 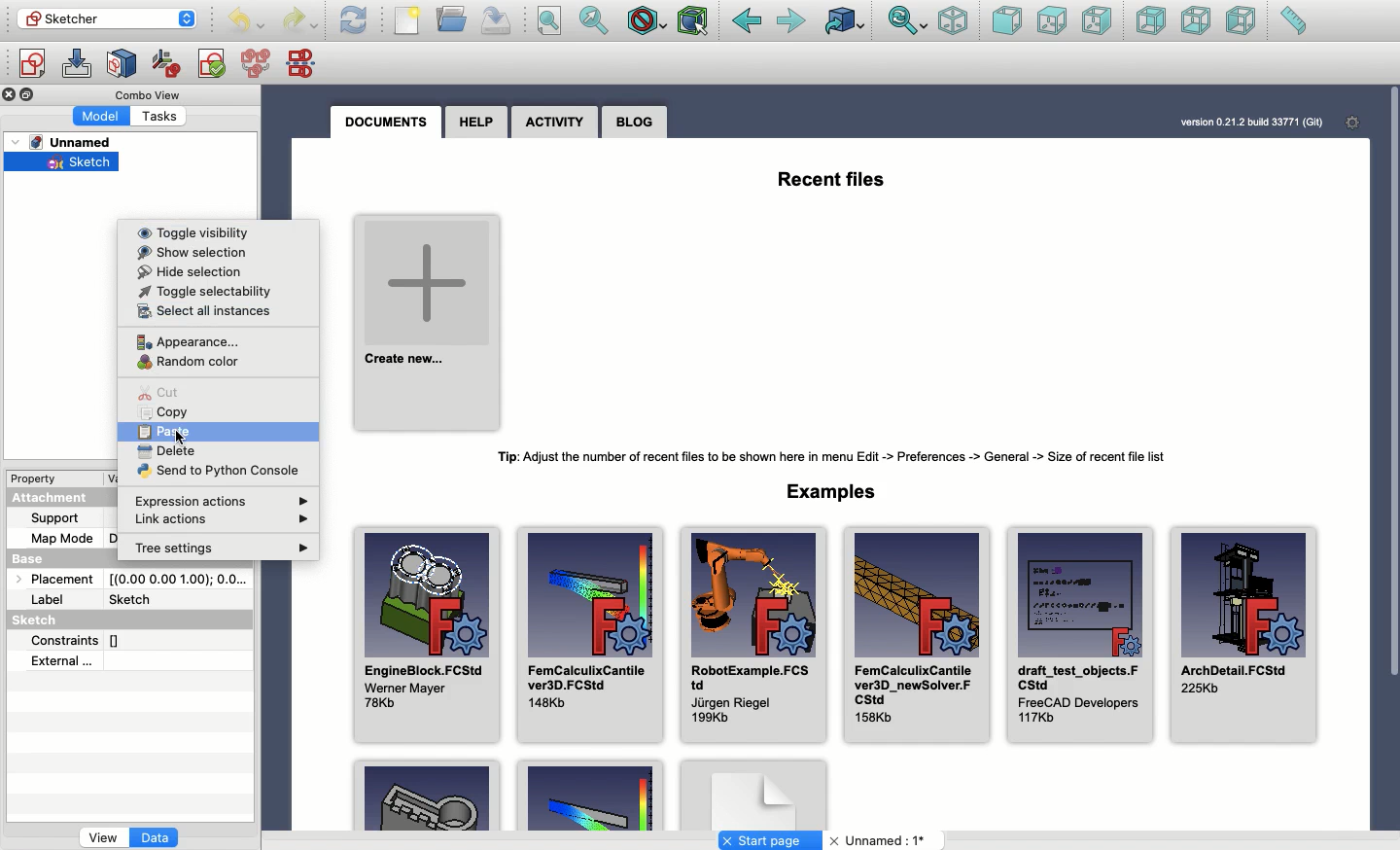 What do you see at coordinates (425, 627) in the screenshot?
I see `EngineBlock` at bounding box center [425, 627].